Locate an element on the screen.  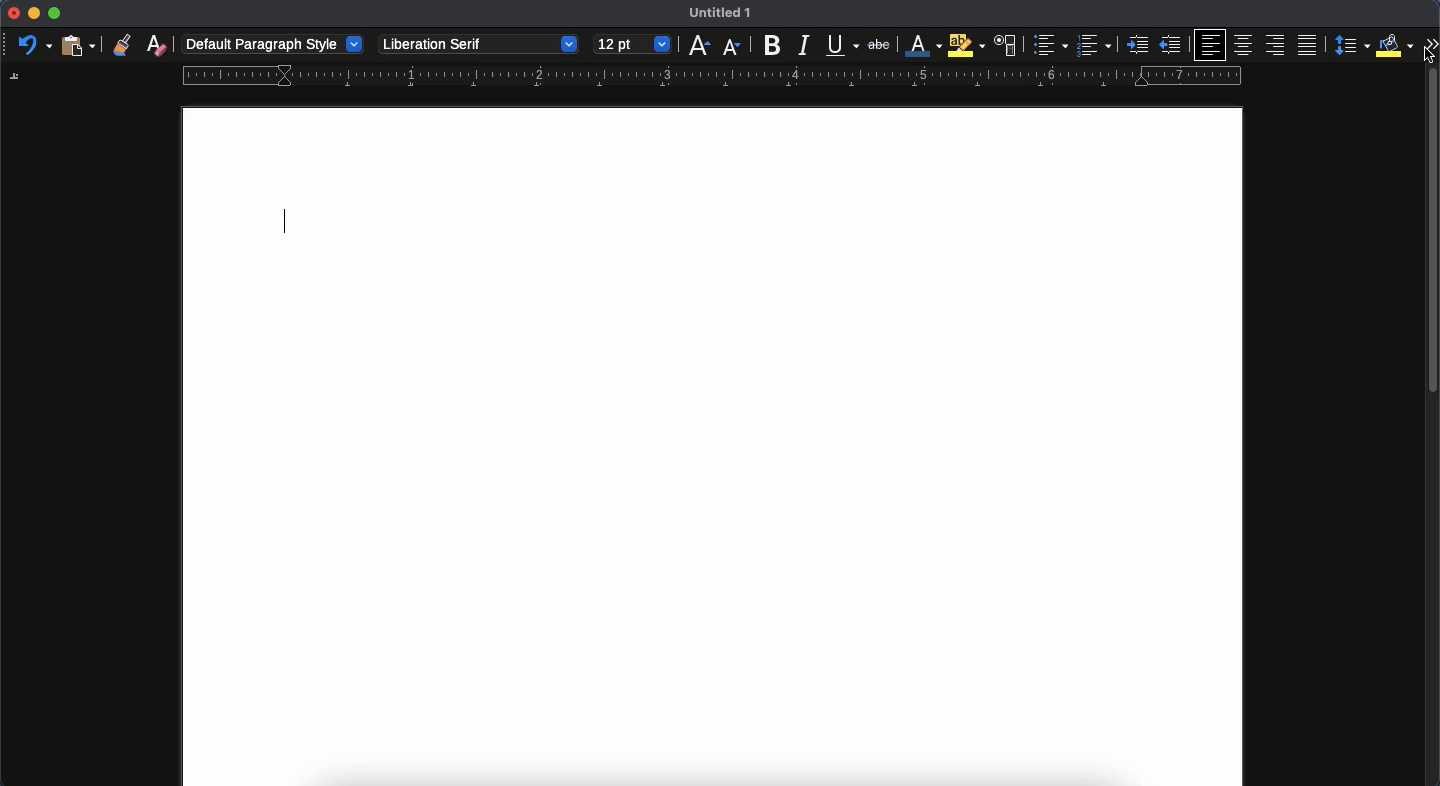
bullet is located at coordinates (1049, 45).